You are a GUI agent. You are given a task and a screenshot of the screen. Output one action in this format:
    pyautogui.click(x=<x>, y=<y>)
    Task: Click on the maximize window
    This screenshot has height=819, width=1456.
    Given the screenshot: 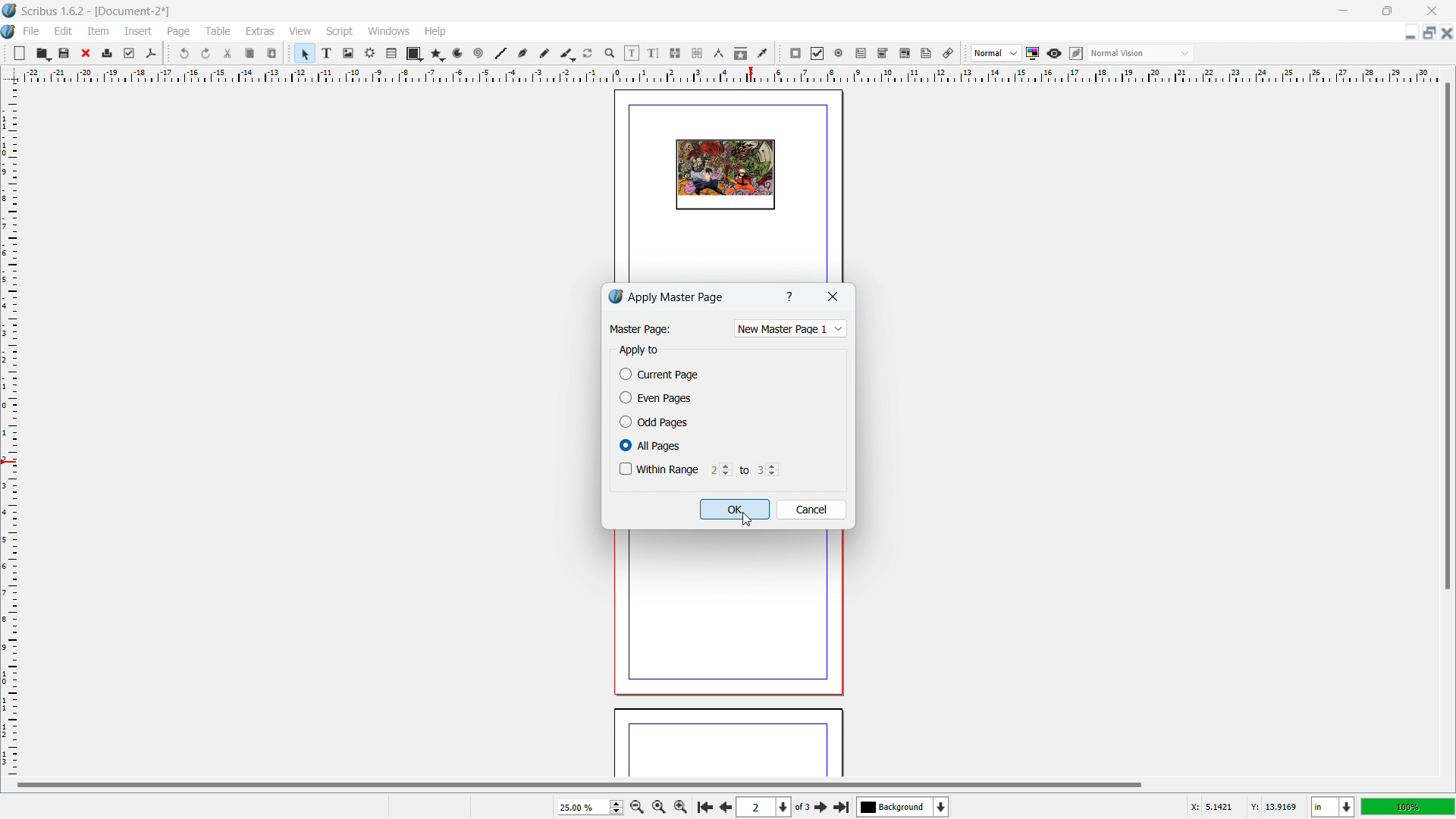 What is the action you would take?
    pyautogui.click(x=1385, y=11)
    